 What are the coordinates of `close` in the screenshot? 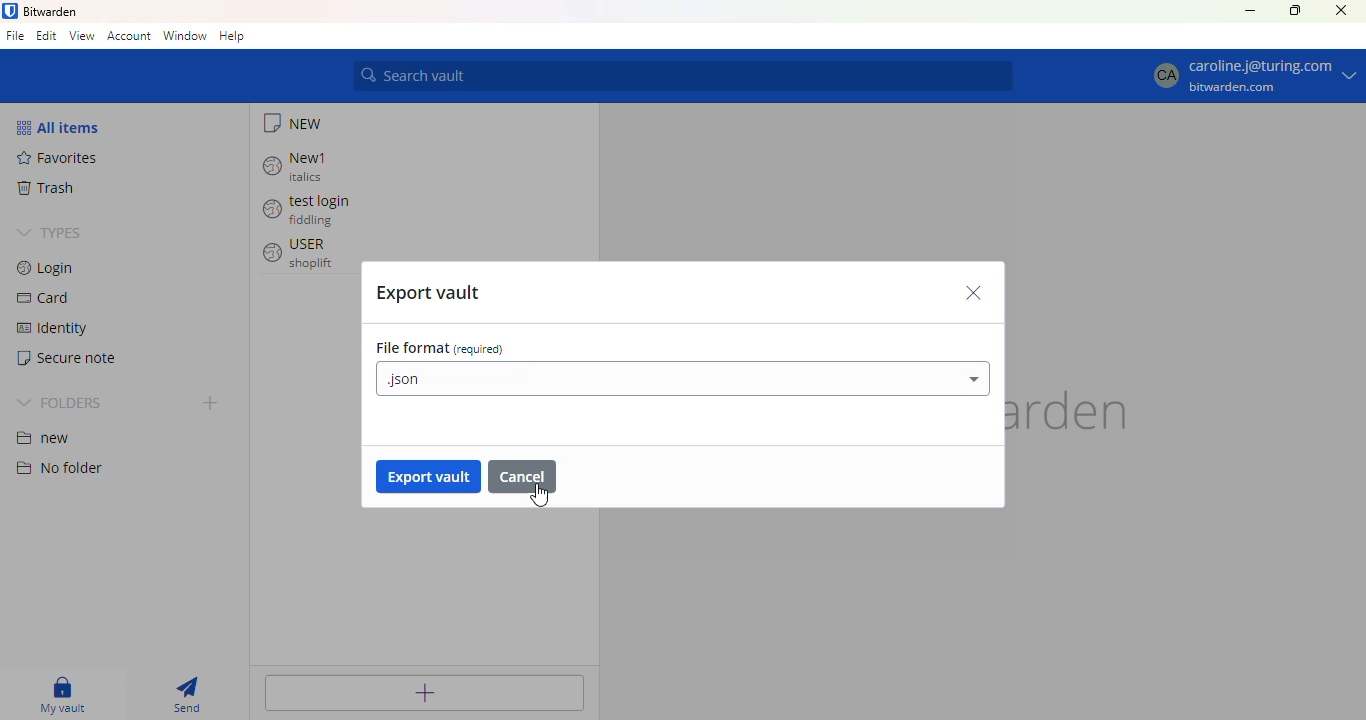 It's located at (1341, 11).